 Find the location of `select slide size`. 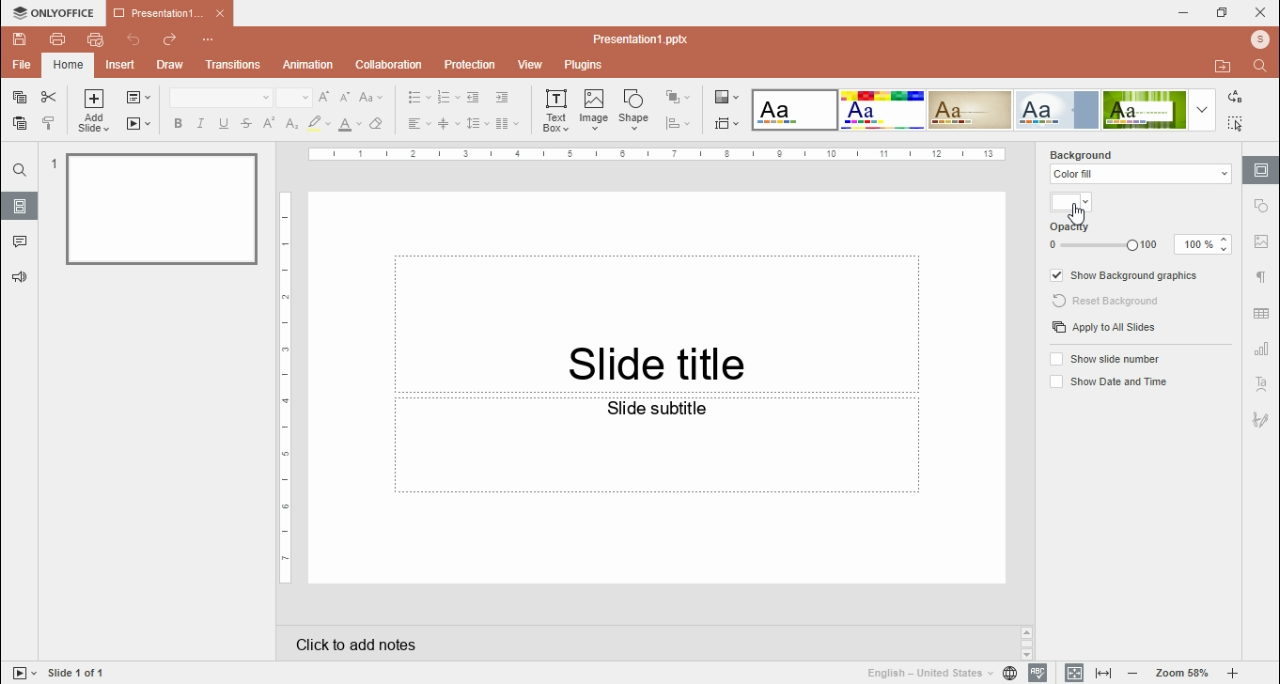

select slide size is located at coordinates (727, 123).